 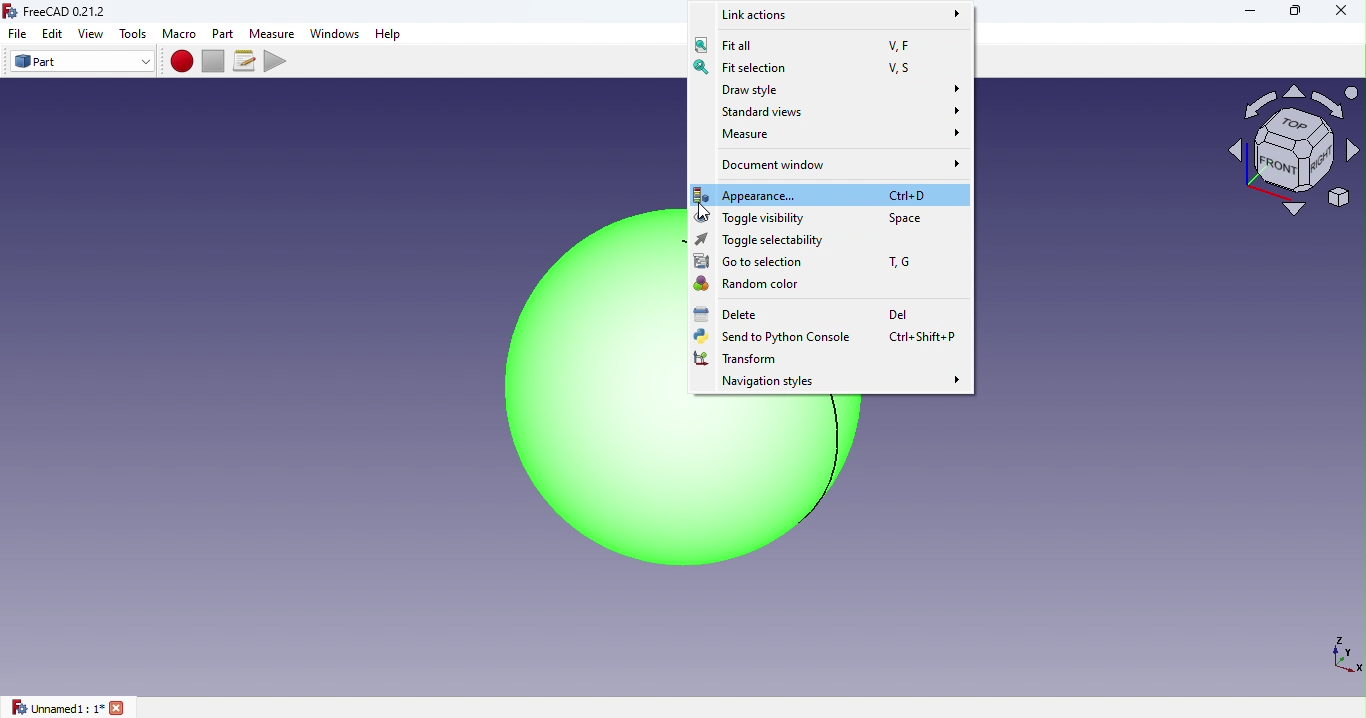 What do you see at coordinates (1293, 158) in the screenshot?
I see `Navigation cube` at bounding box center [1293, 158].